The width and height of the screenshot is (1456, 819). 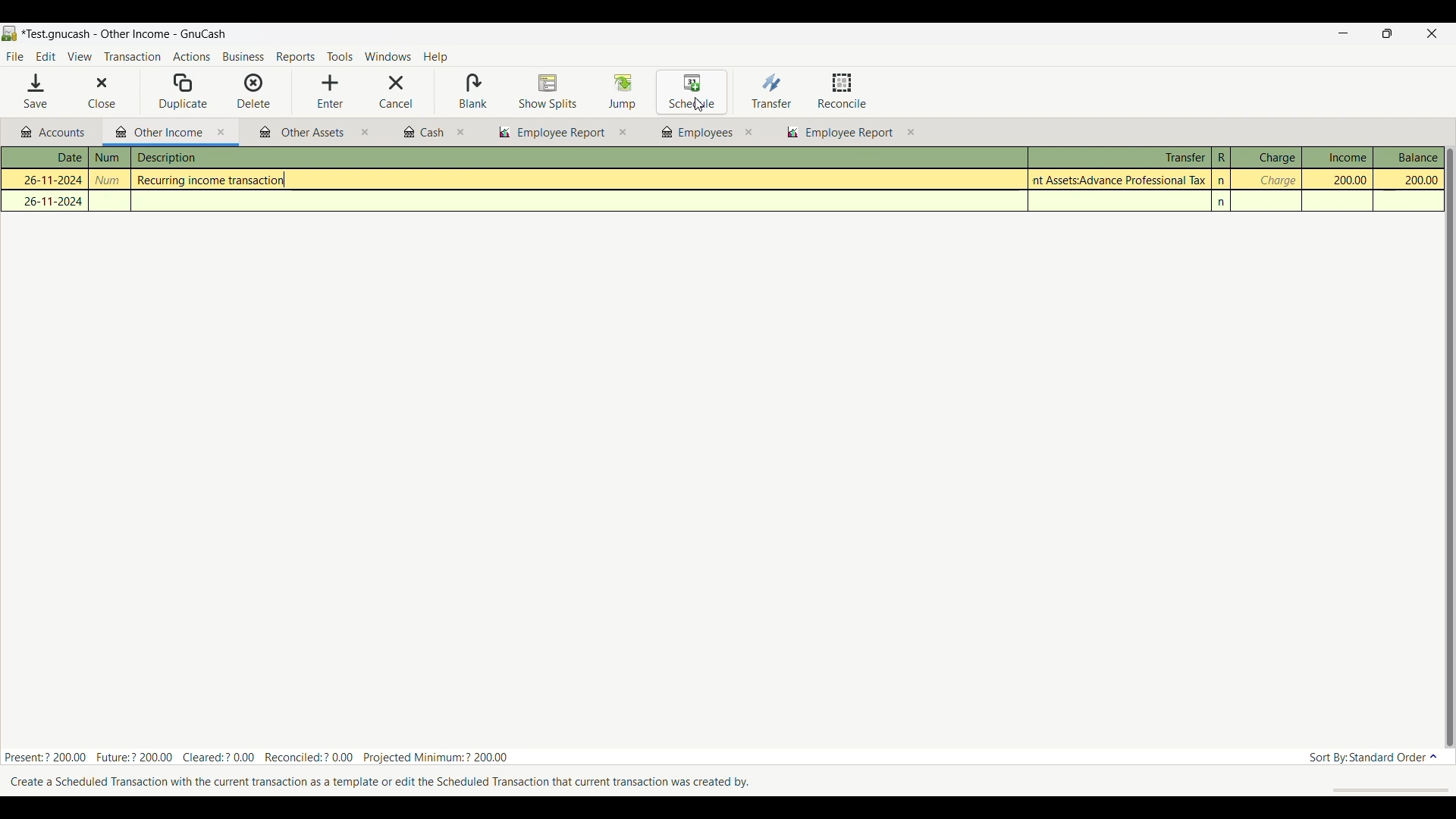 I want to click on Minimize, so click(x=1341, y=34).